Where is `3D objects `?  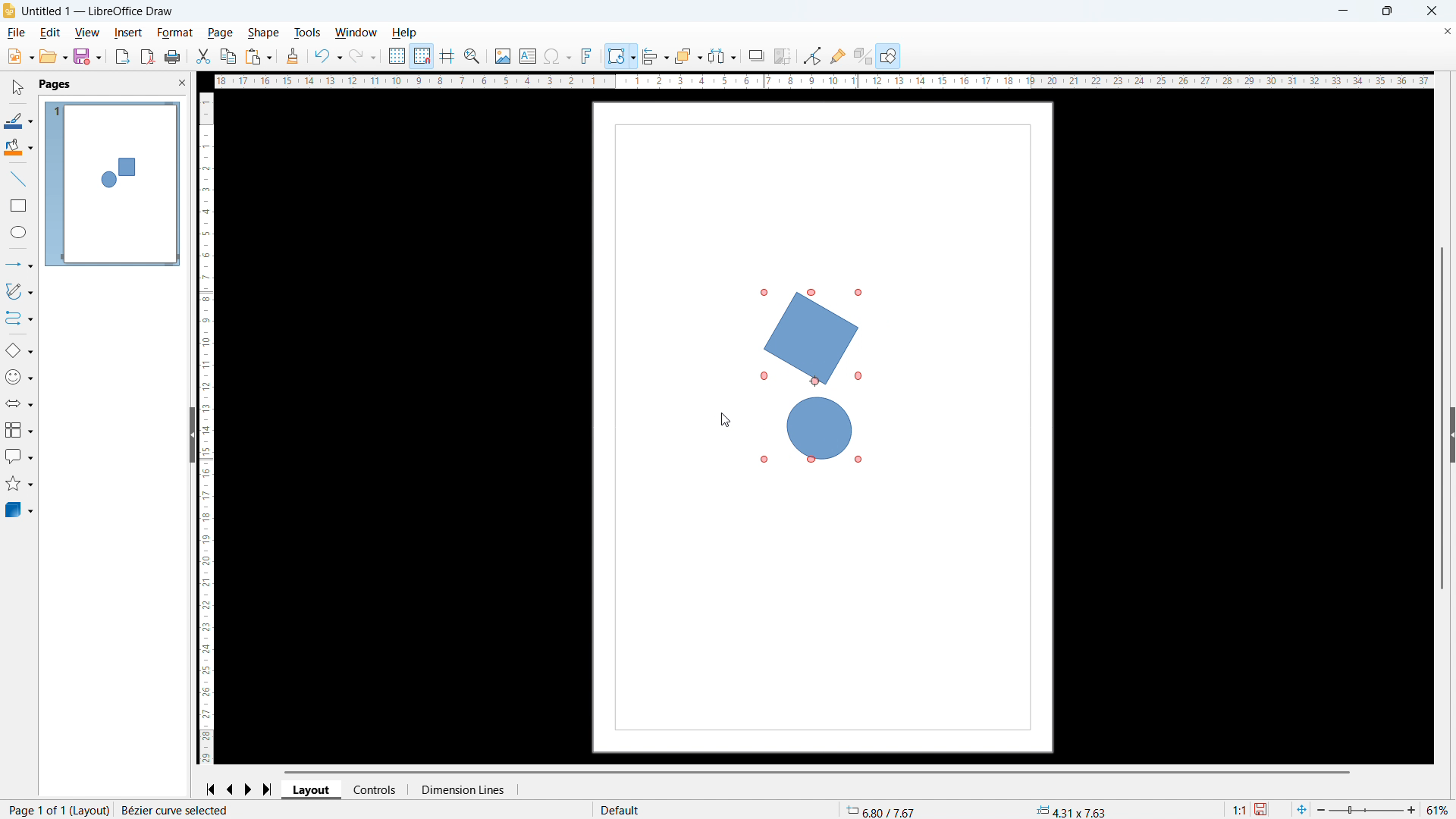 3D objects  is located at coordinates (20, 510).